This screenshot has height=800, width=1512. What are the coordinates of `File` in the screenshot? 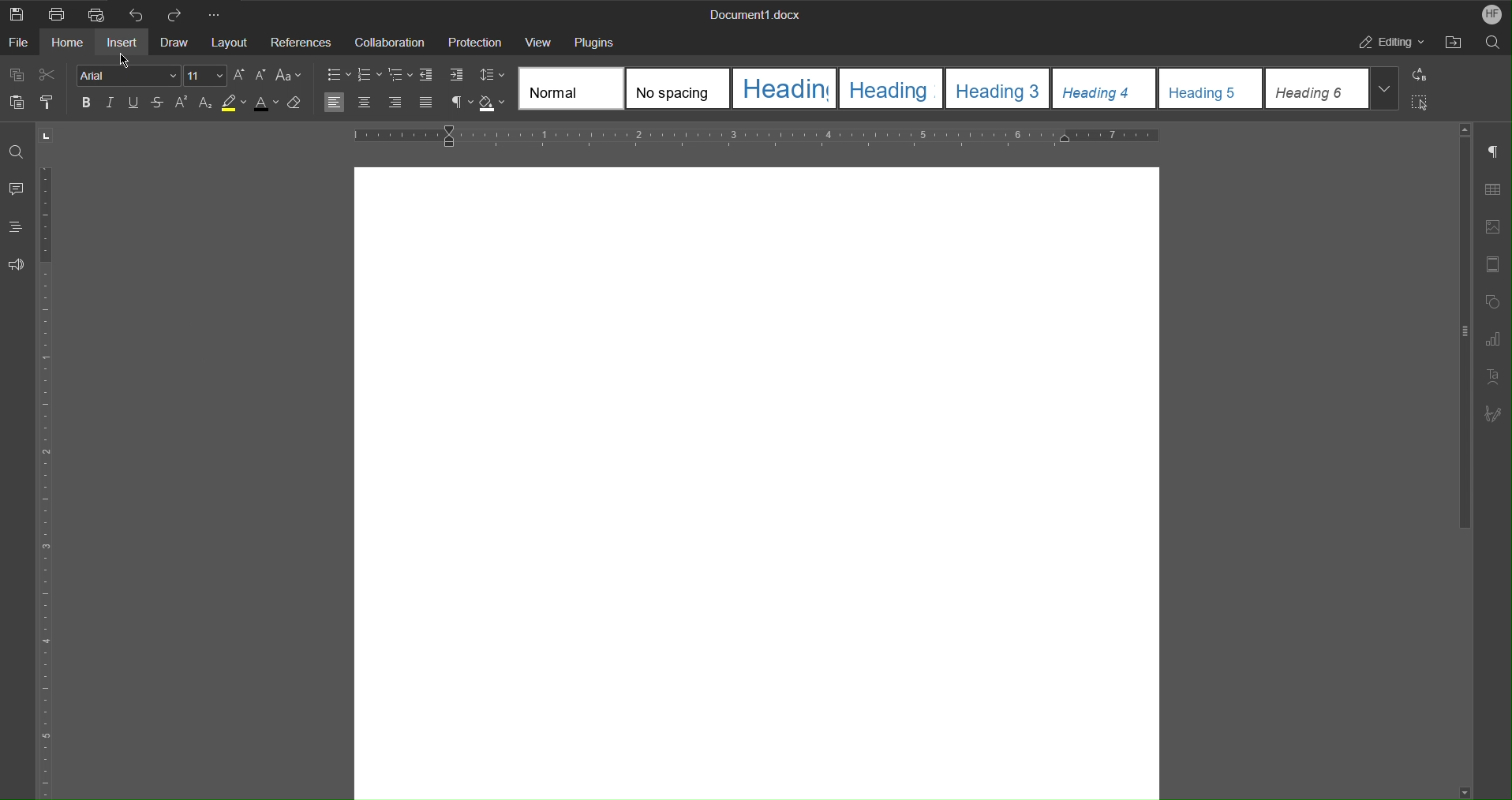 It's located at (22, 44).